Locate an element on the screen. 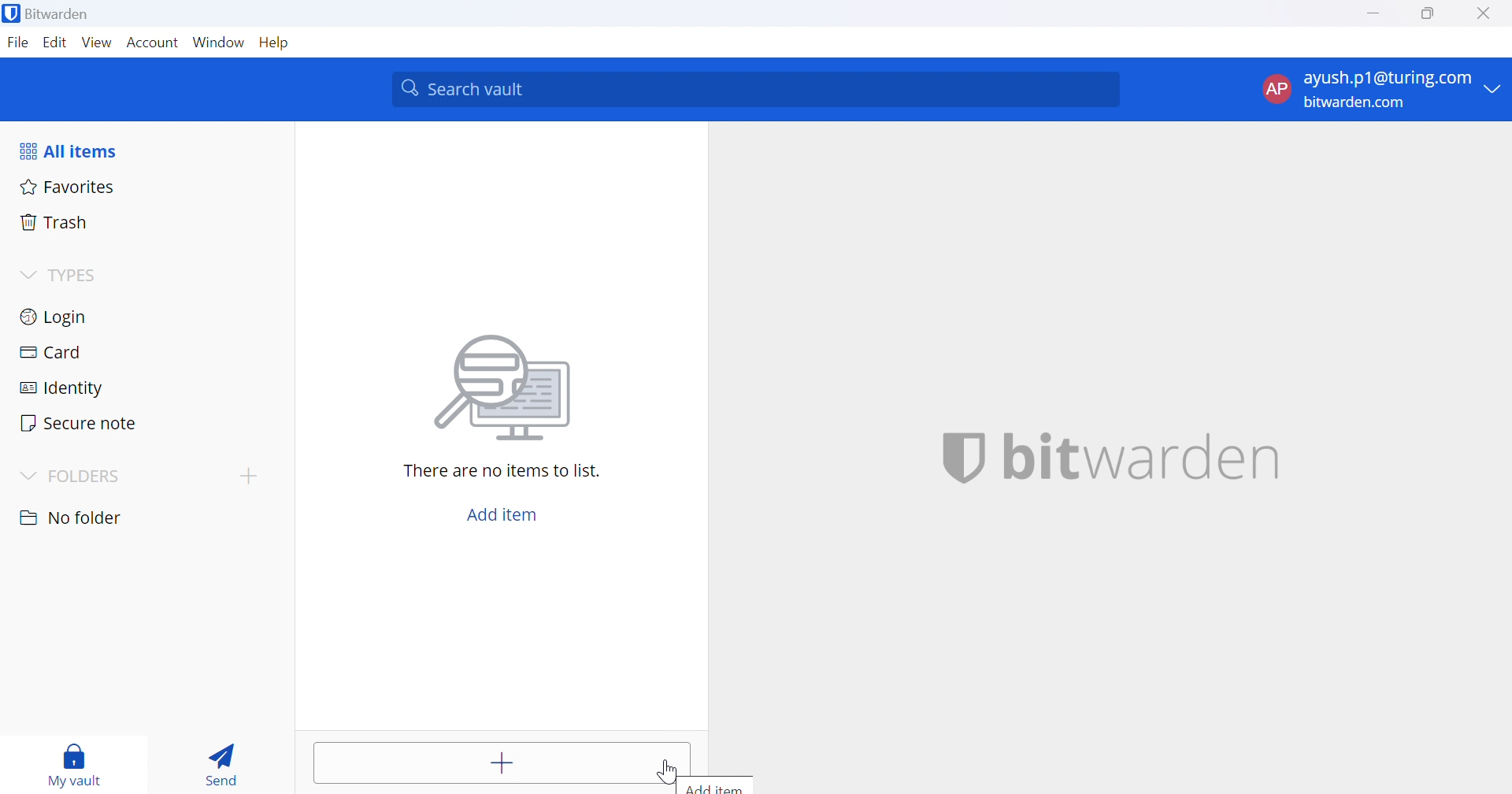 Image resolution: width=1512 pixels, height=794 pixels. Add item is located at coordinates (484, 762).